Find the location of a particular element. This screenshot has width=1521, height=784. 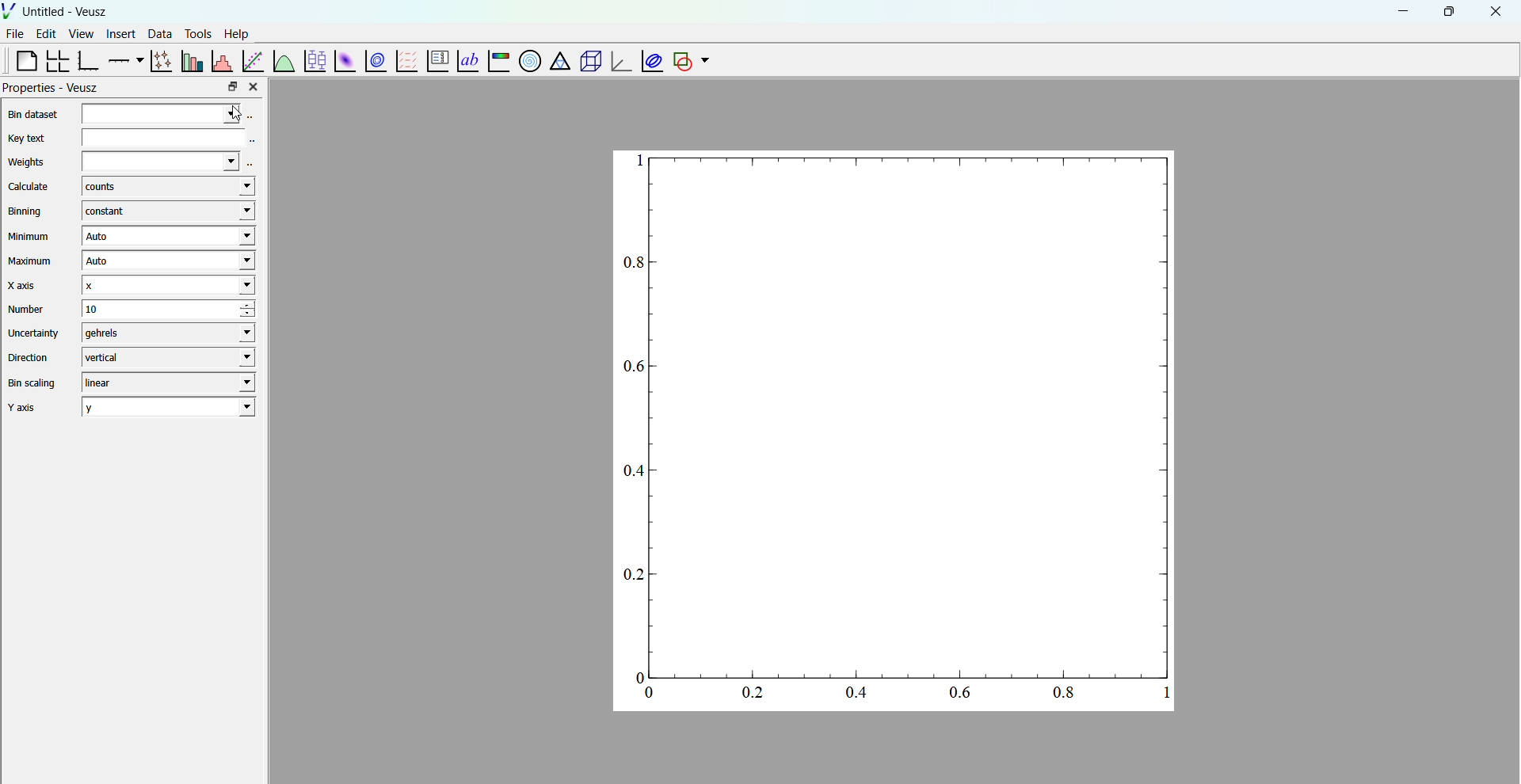

base graph is located at coordinates (88, 61).